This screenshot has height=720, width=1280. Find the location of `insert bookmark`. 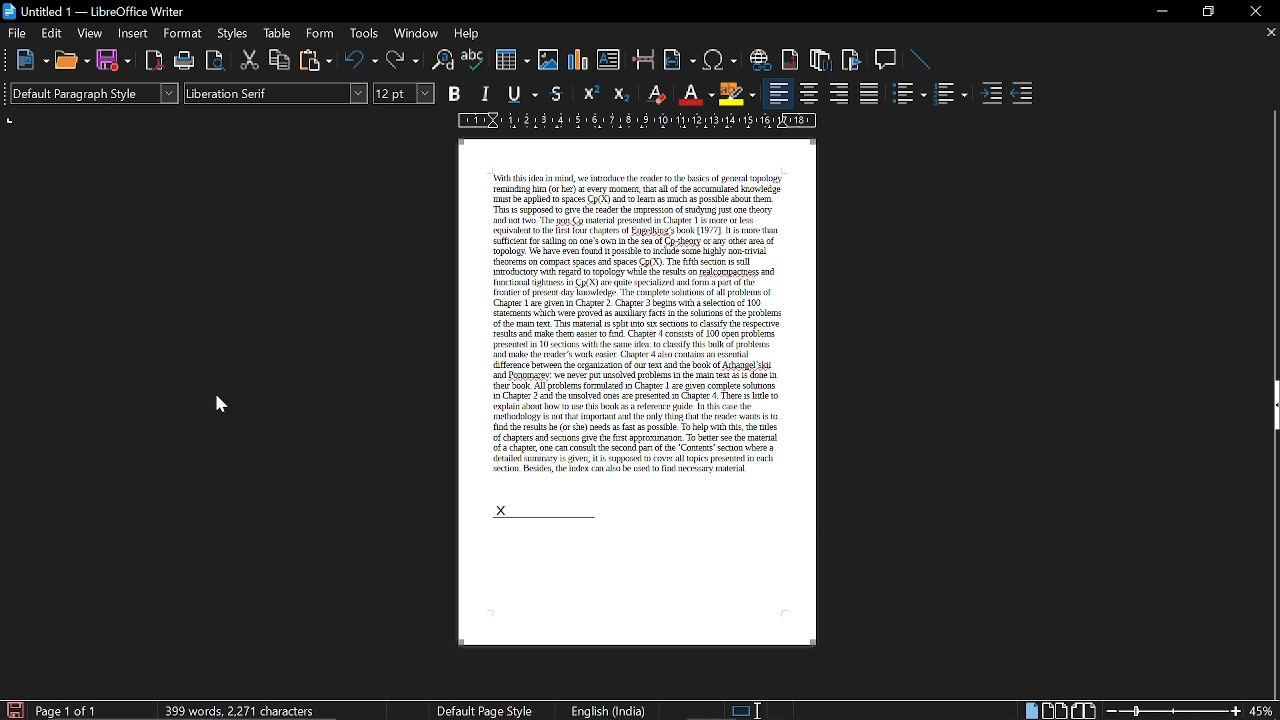

insert bookmark is located at coordinates (853, 59).